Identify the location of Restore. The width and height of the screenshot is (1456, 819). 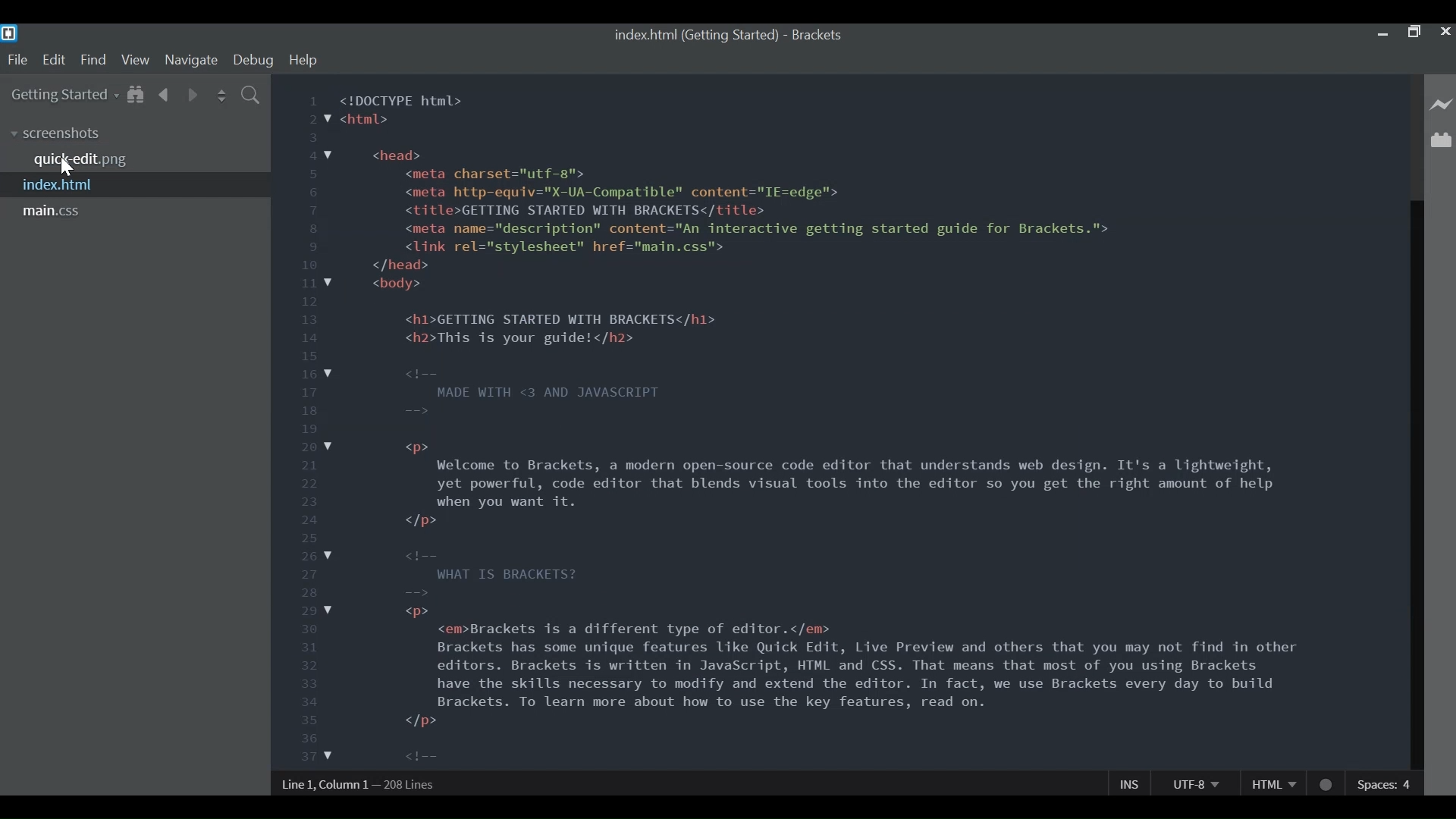
(1411, 31).